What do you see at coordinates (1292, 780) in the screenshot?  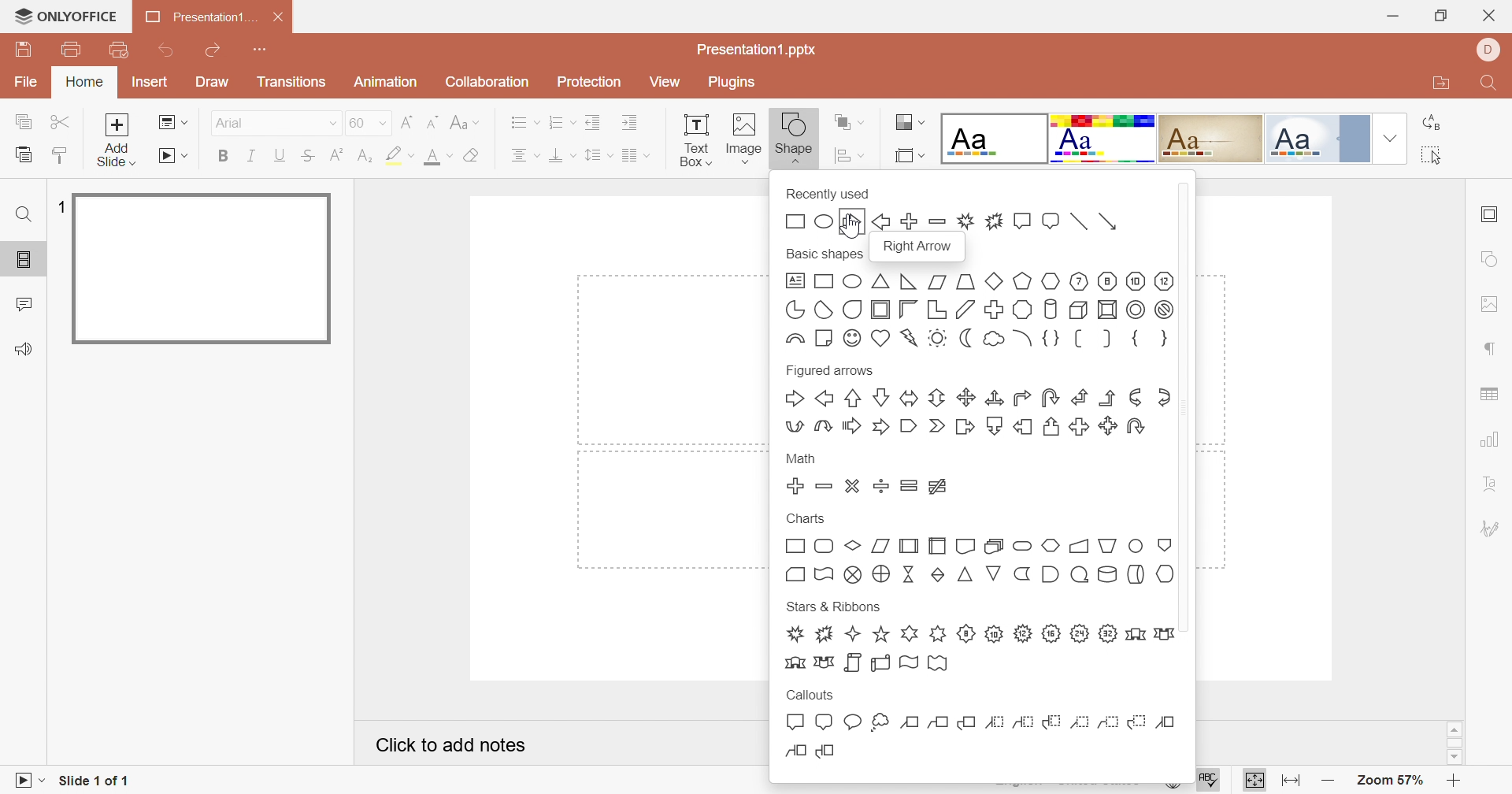 I see `Fit to width` at bounding box center [1292, 780].